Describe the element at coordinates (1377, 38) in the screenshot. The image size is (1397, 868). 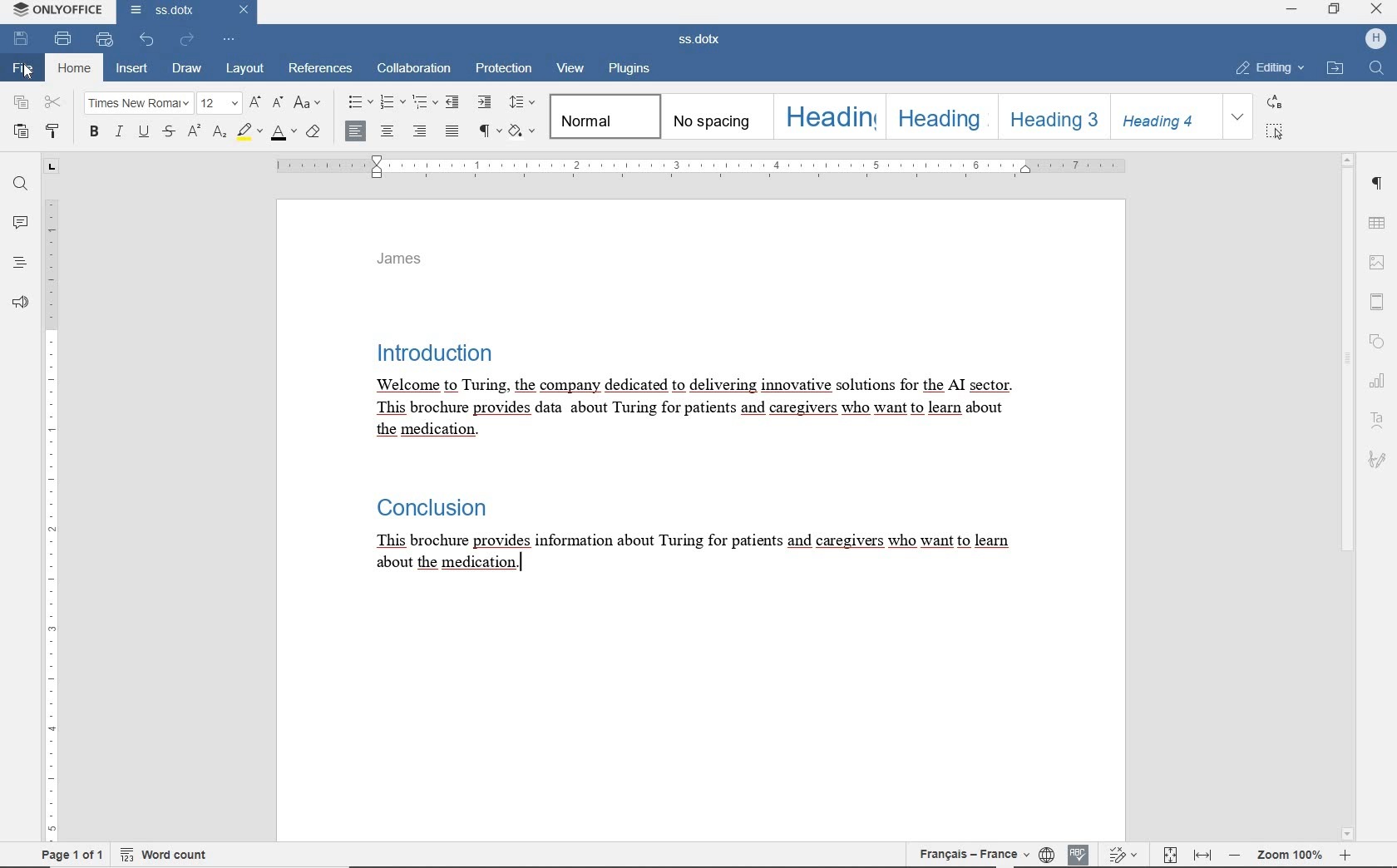
I see `HP` at that location.